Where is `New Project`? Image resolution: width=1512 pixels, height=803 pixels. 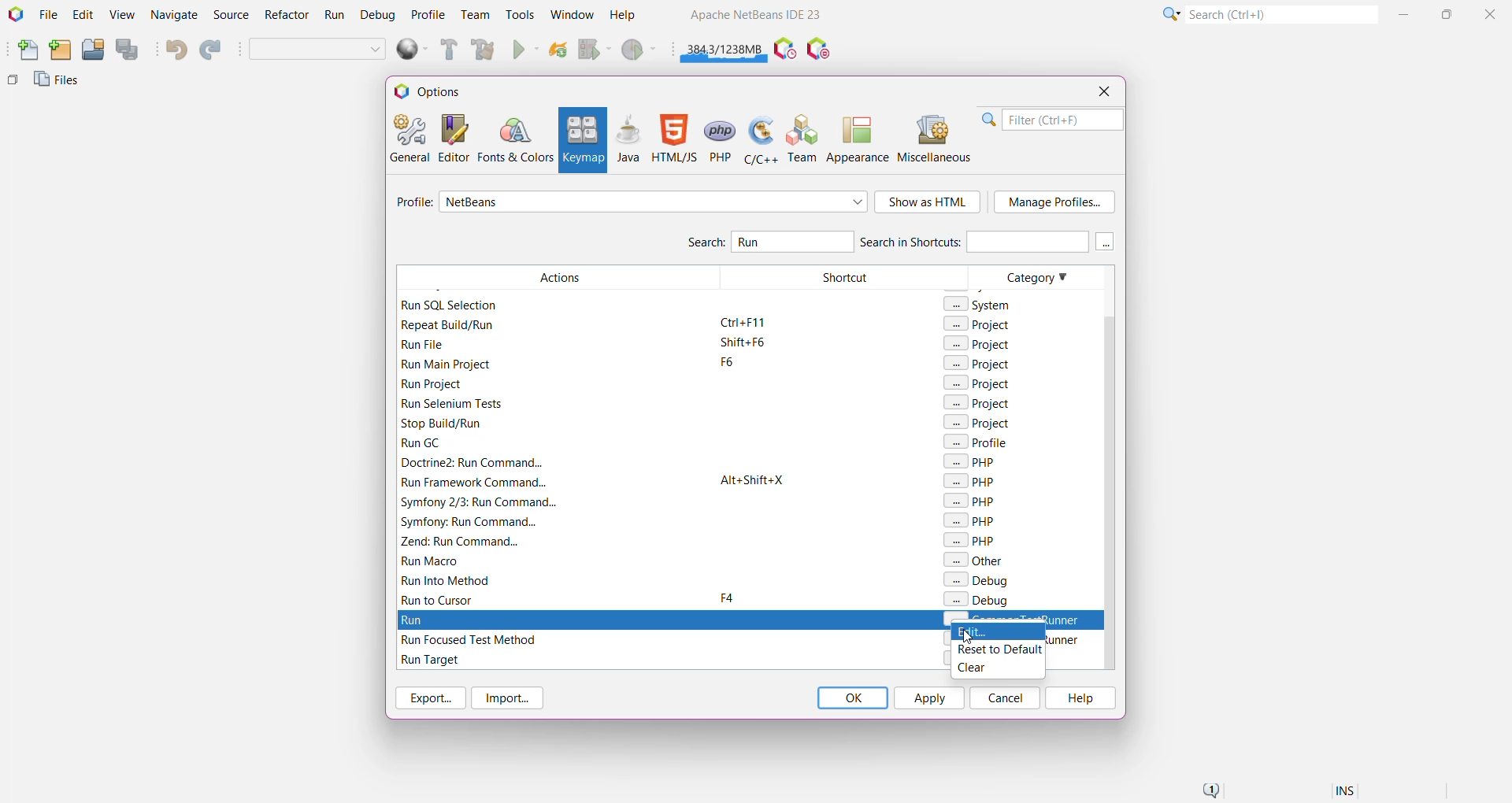 New Project is located at coordinates (60, 50).